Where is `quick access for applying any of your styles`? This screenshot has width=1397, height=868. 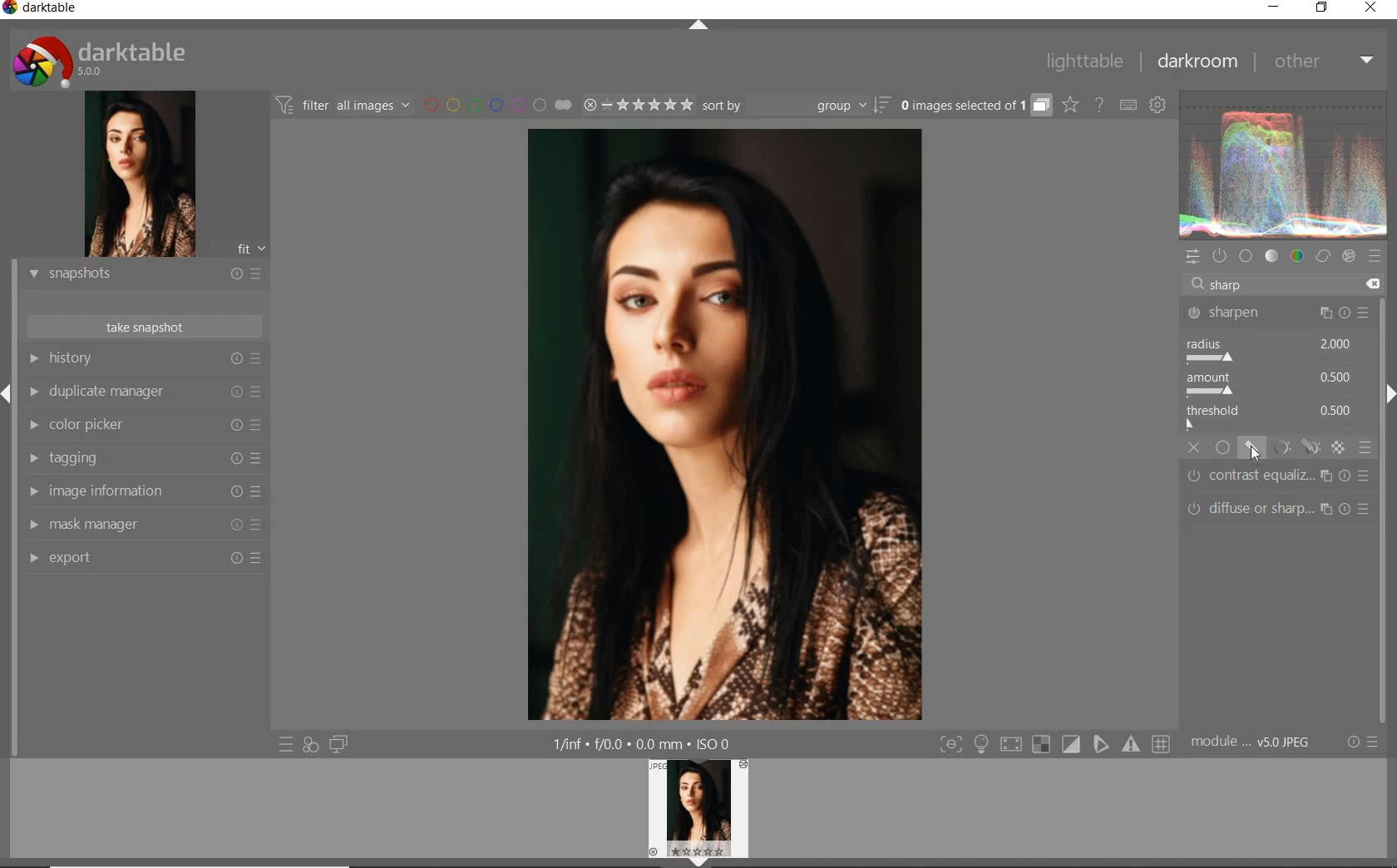 quick access for applying any of your styles is located at coordinates (310, 745).